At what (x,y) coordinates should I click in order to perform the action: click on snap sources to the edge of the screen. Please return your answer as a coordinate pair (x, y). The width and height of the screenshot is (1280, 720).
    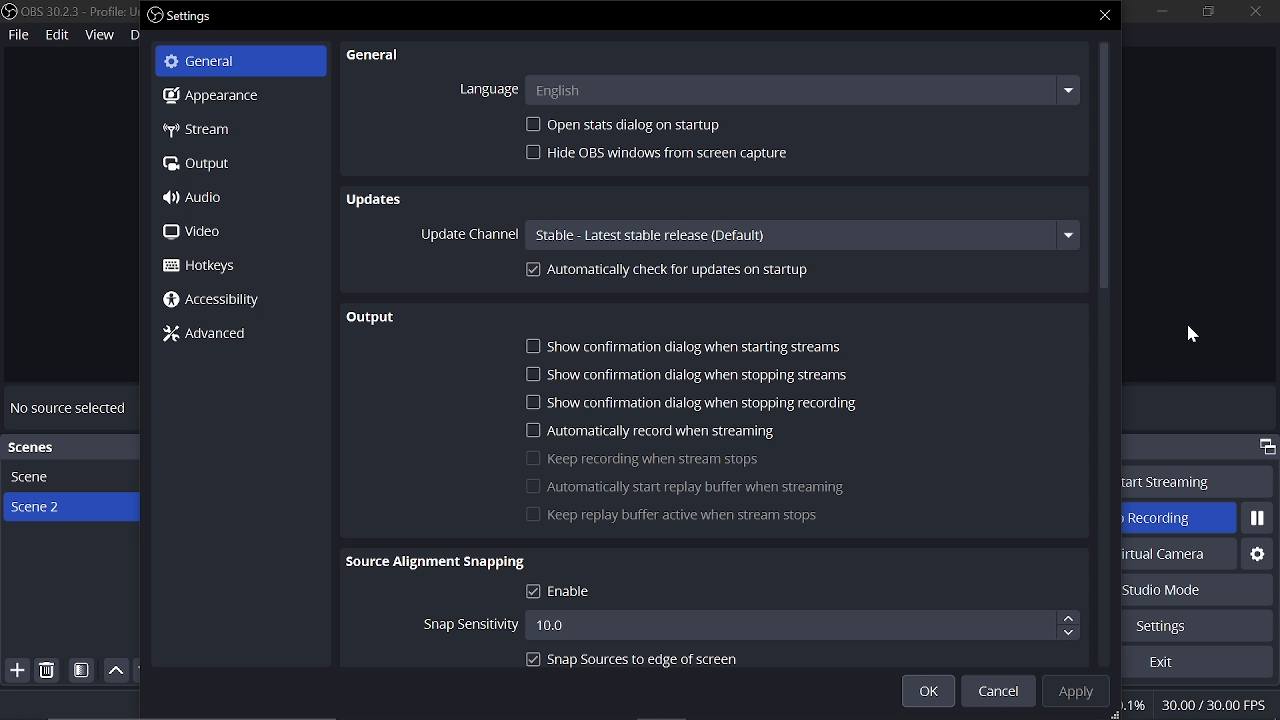
    Looking at the image, I should click on (628, 661).